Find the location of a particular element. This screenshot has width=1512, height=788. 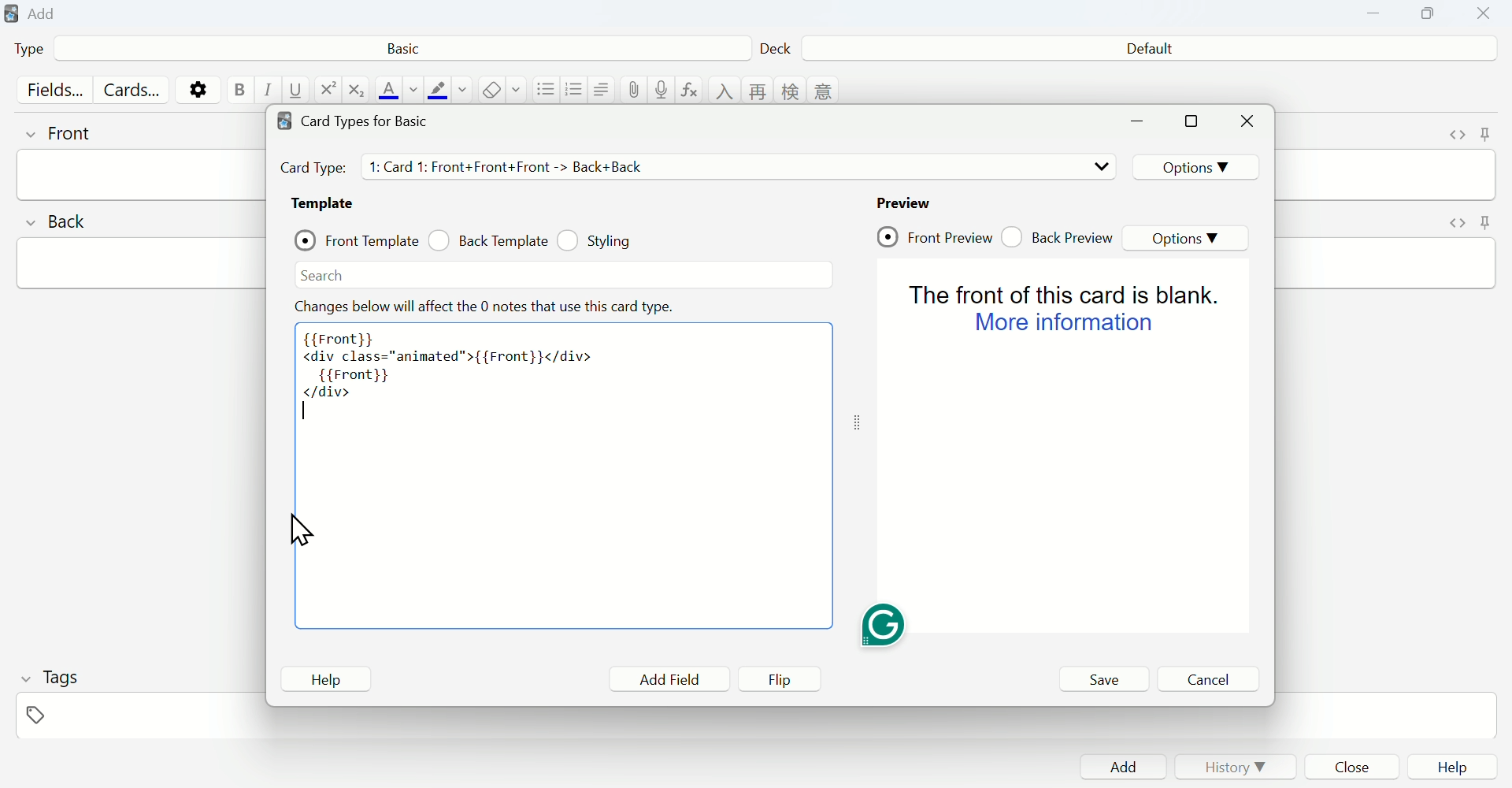

Styling is located at coordinates (602, 240).